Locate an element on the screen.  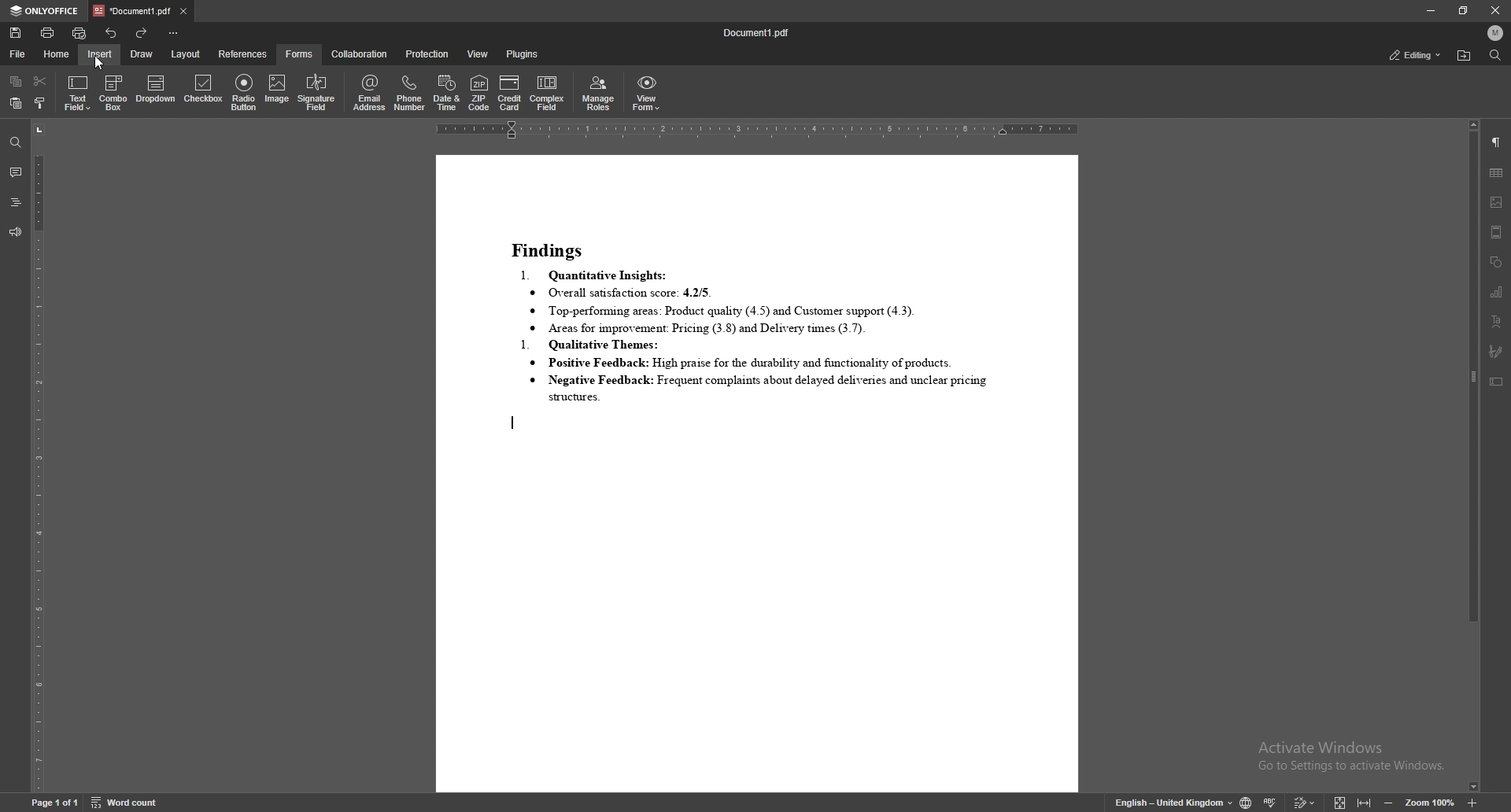
text art is located at coordinates (1497, 321).